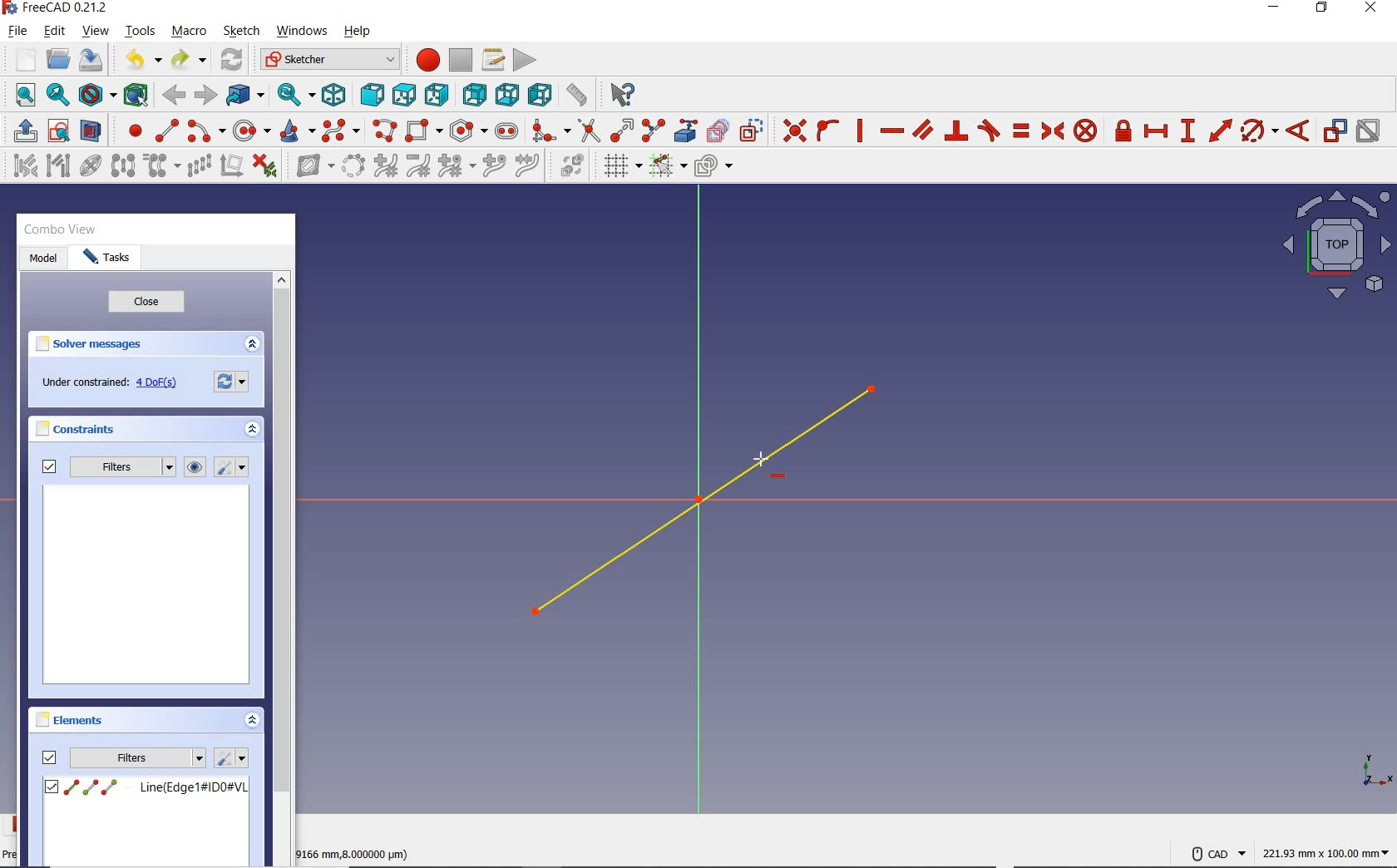  I want to click on SYSTEM NAME, so click(59, 8).